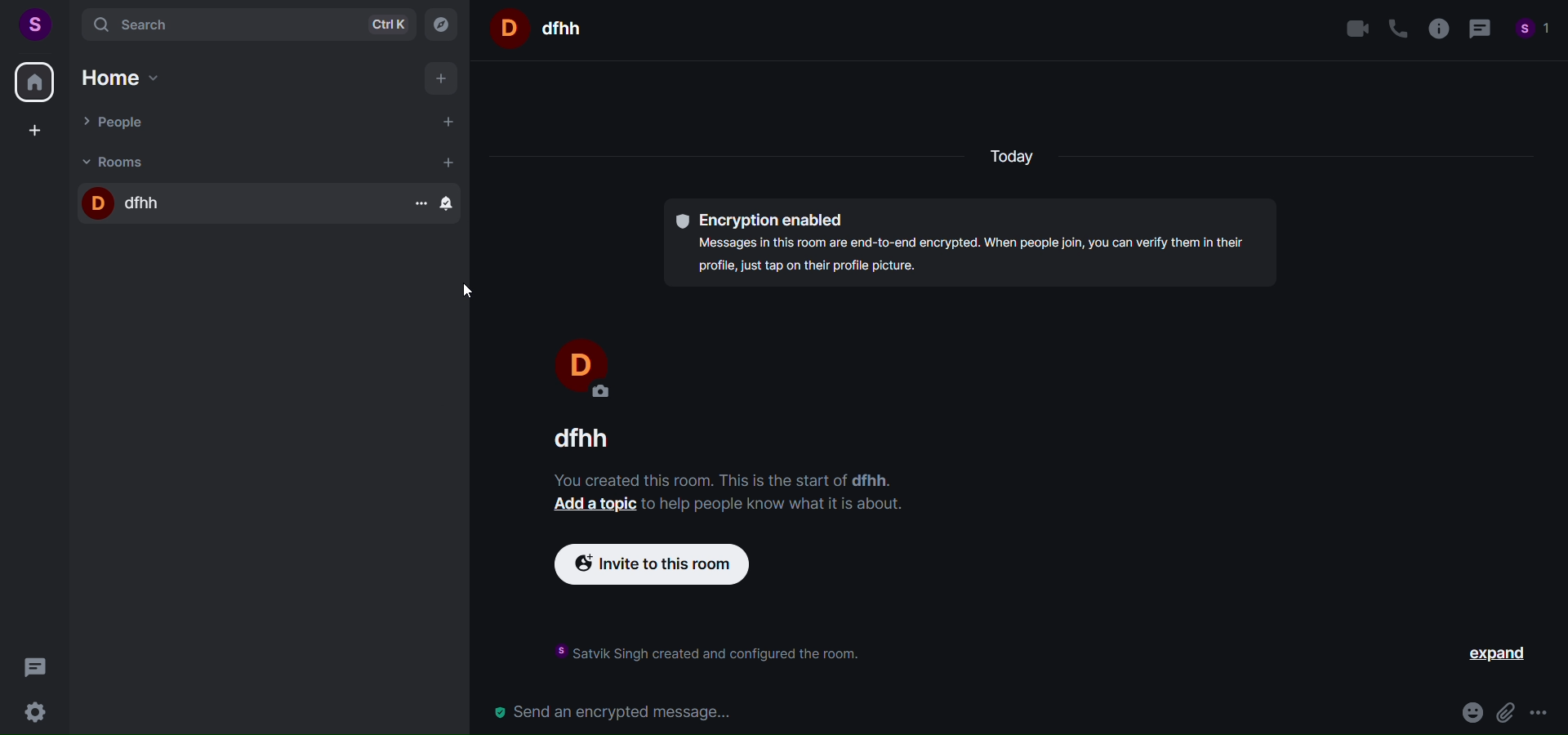 The height and width of the screenshot is (735, 1568). I want to click on muted notification, so click(451, 205).